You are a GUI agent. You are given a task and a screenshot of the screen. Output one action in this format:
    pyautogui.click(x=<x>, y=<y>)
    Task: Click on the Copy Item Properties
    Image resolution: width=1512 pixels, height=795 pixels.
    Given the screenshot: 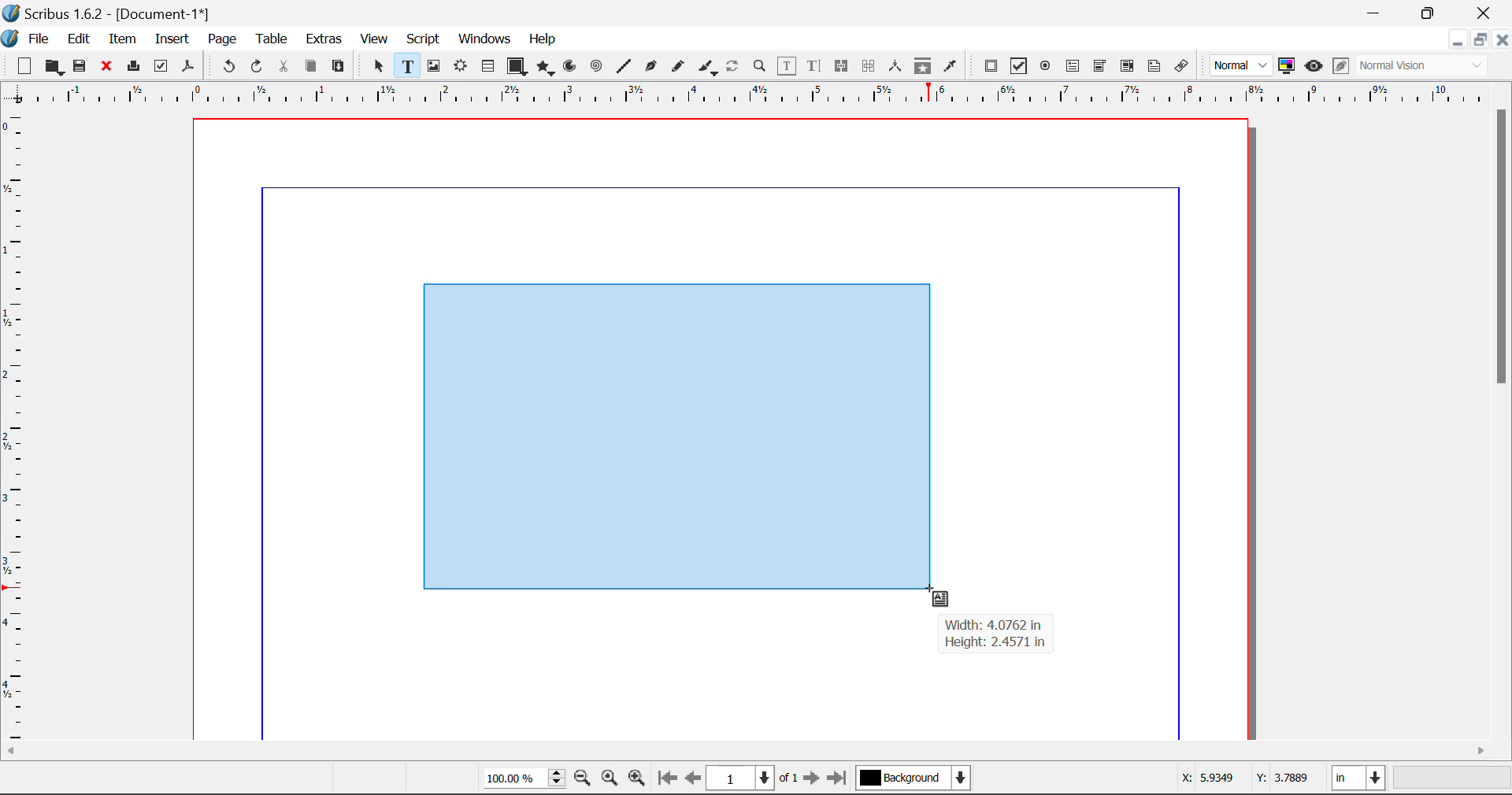 What is the action you would take?
    pyautogui.click(x=922, y=66)
    